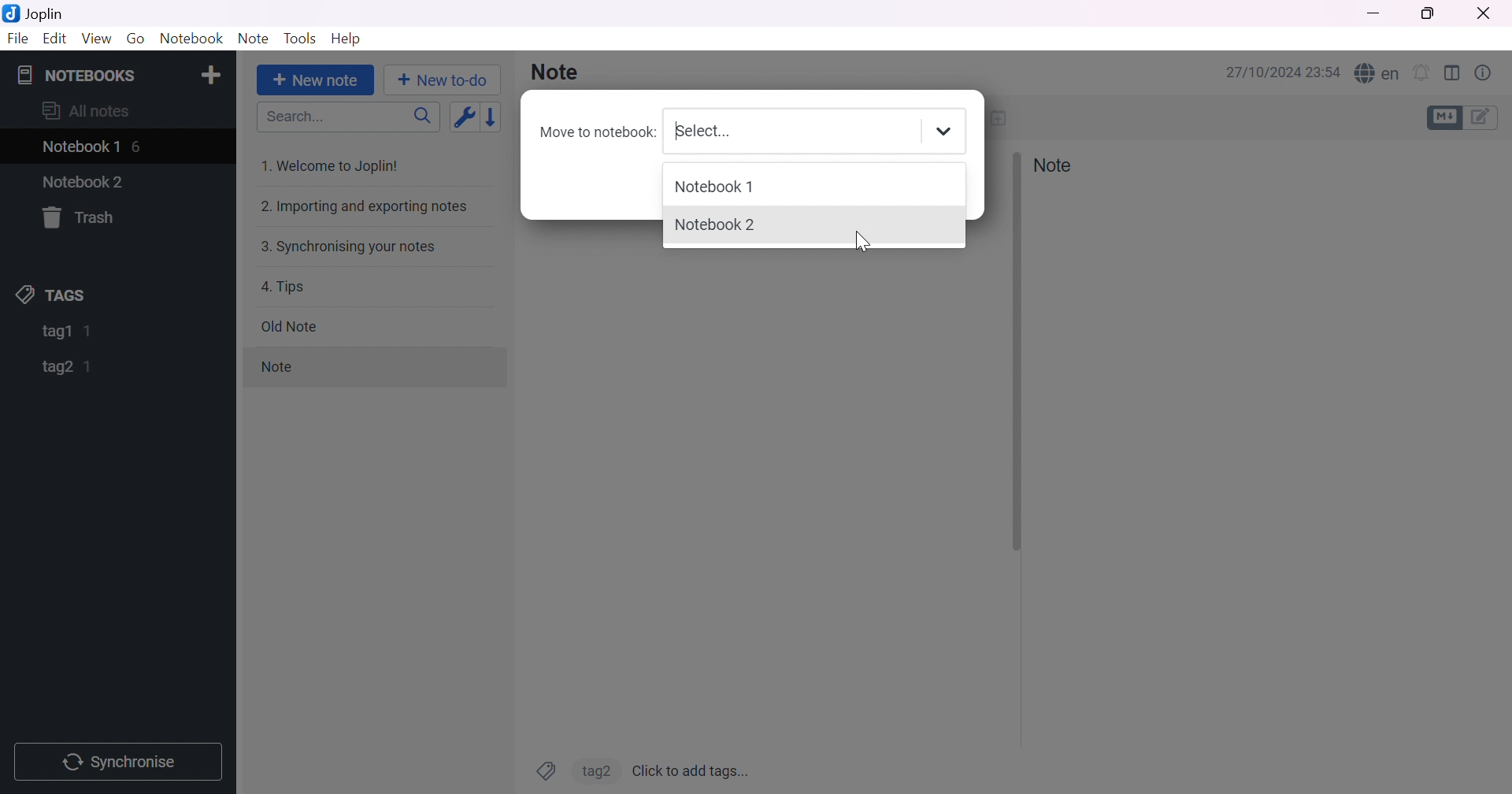  I want to click on Reverse sort order, so click(495, 117).